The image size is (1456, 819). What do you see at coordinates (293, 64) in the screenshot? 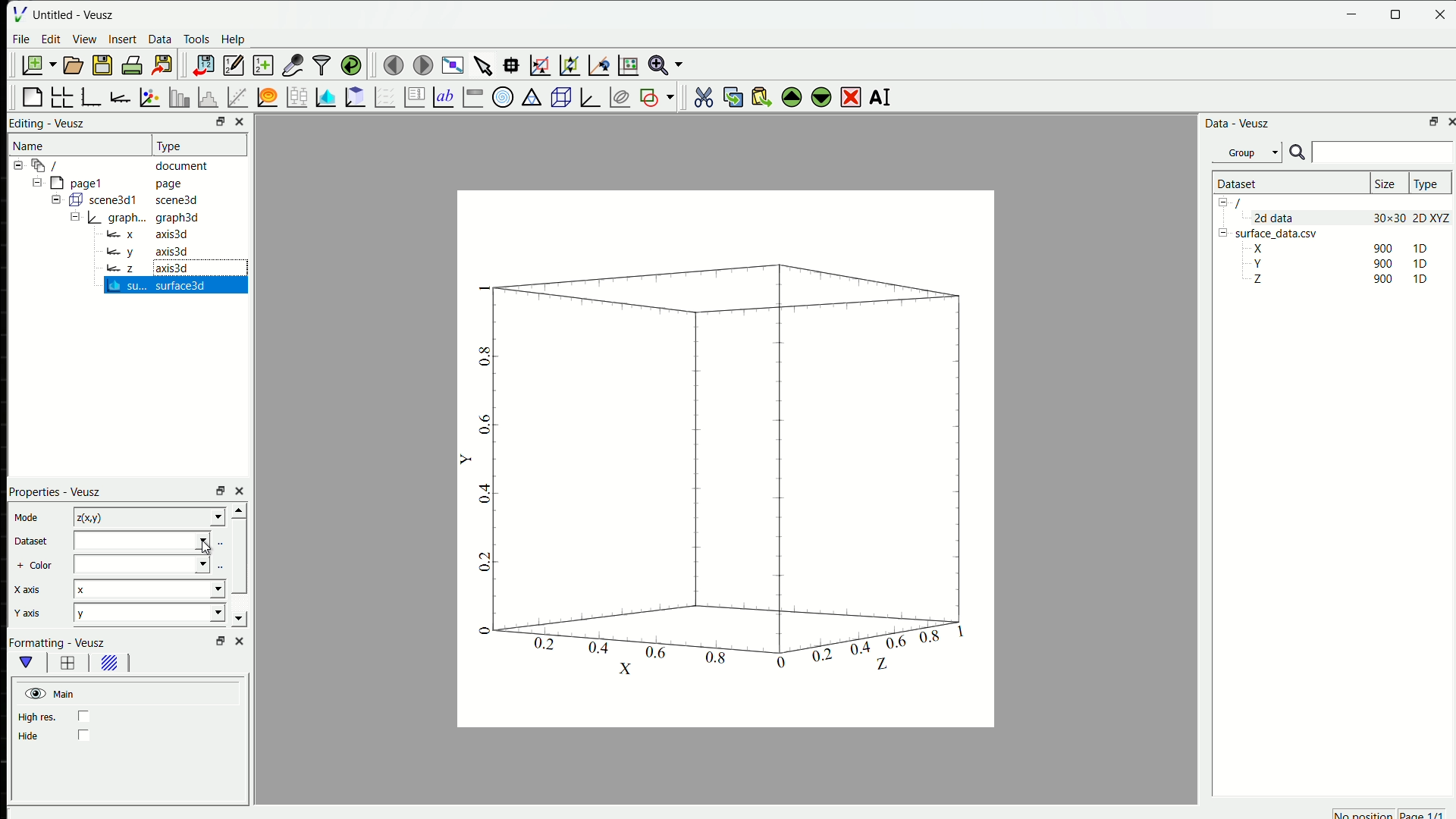
I see `capture remote data` at bounding box center [293, 64].